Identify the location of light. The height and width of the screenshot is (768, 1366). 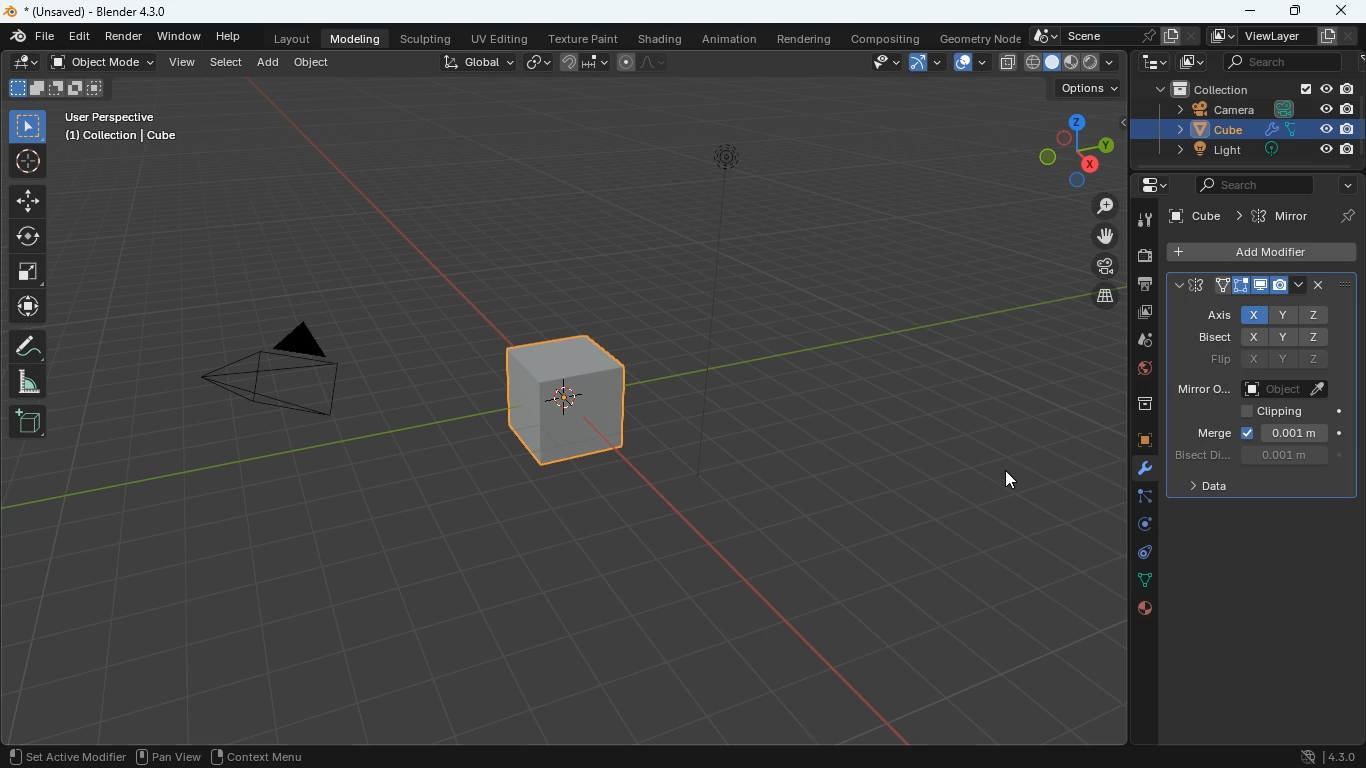
(722, 312).